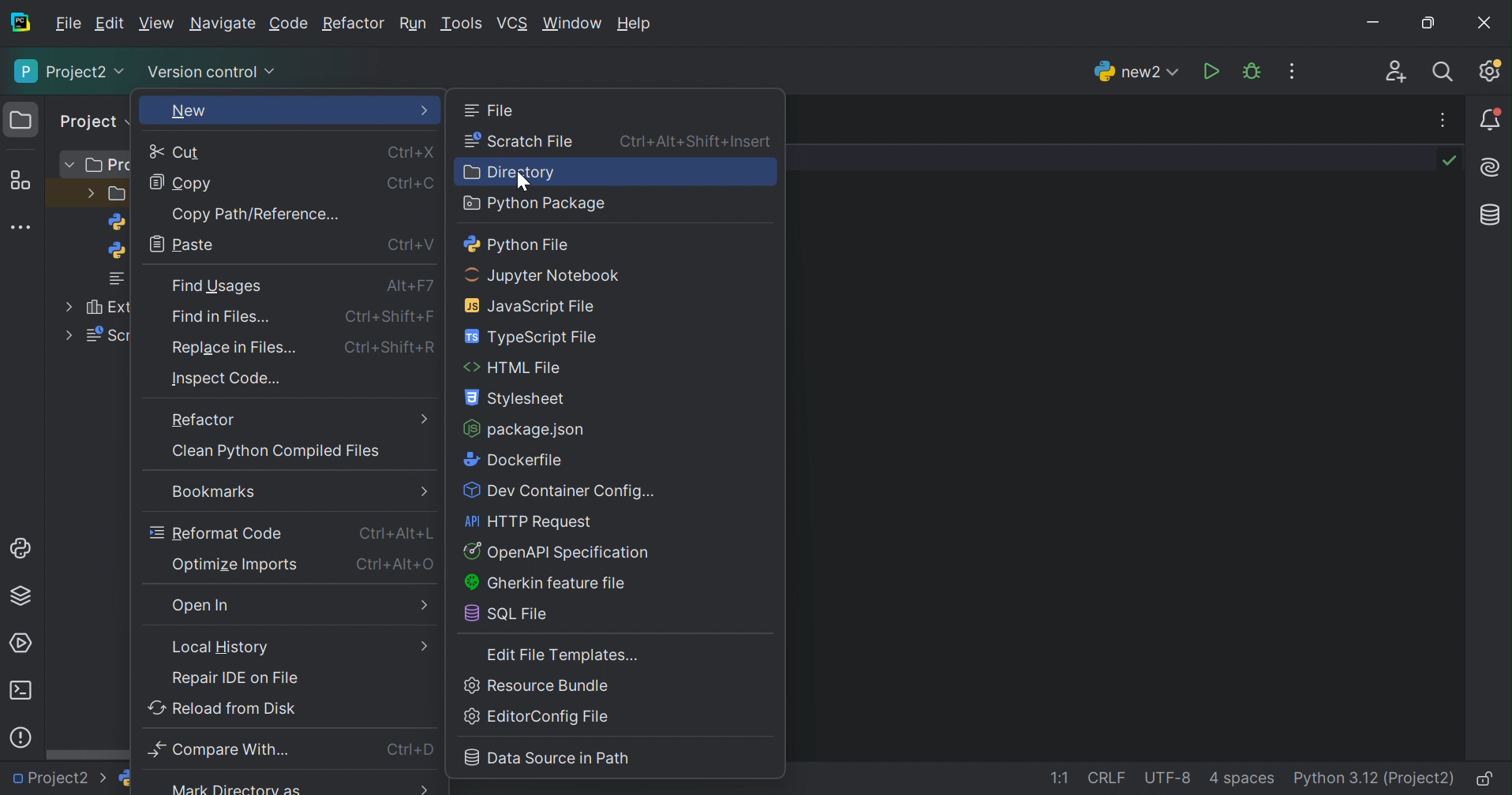 This screenshot has width=1512, height=795. I want to click on new2, so click(1134, 72).